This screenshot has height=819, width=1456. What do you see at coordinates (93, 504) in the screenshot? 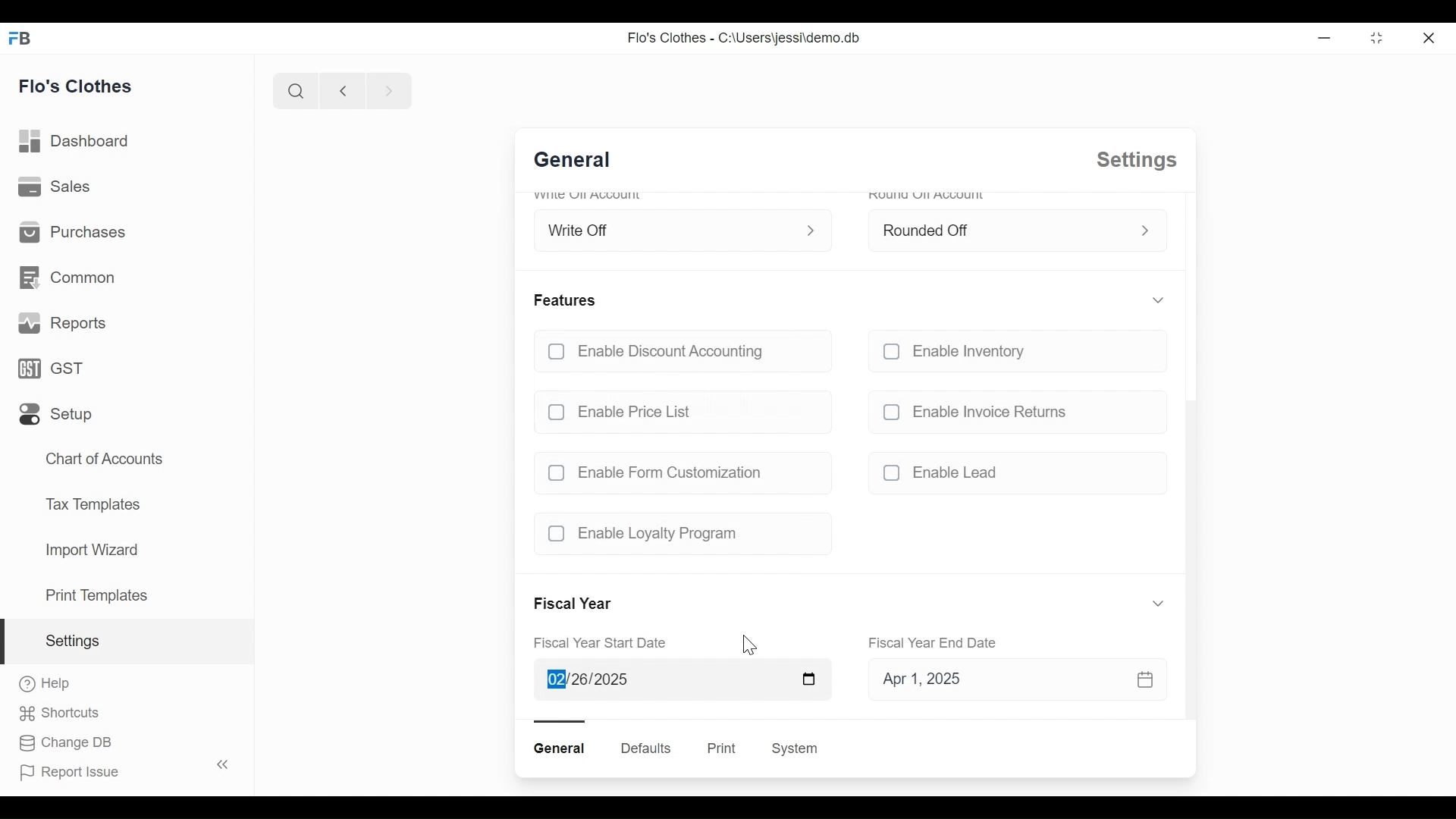
I see `Tax Templates` at bounding box center [93, 504].